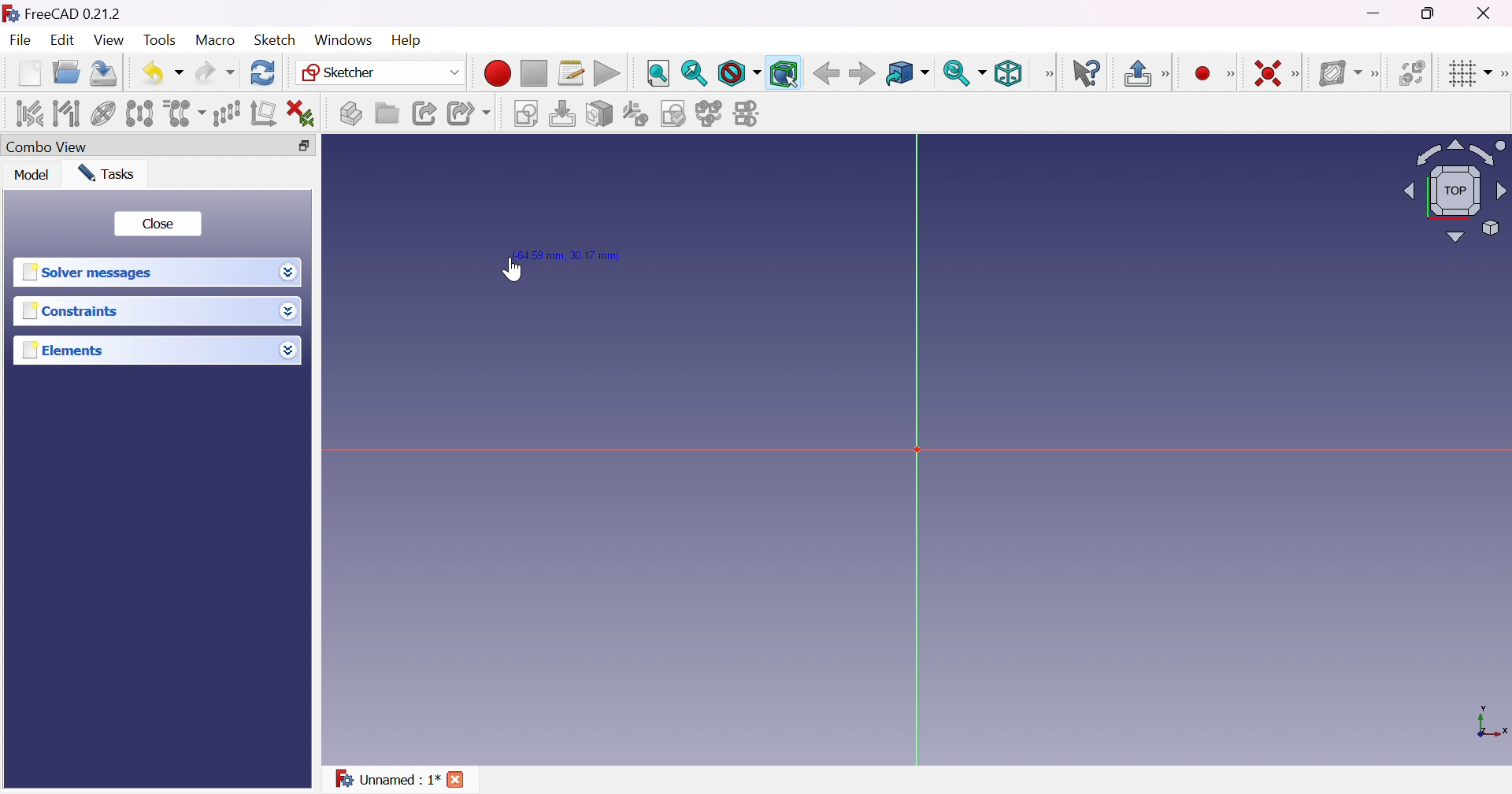 The height and width of the screenshot is (794, 1512). What do you see at coordinates (103, 113) in the screenshot?
I see `Show/hide internal geometry` at bounding box center [103, 113].